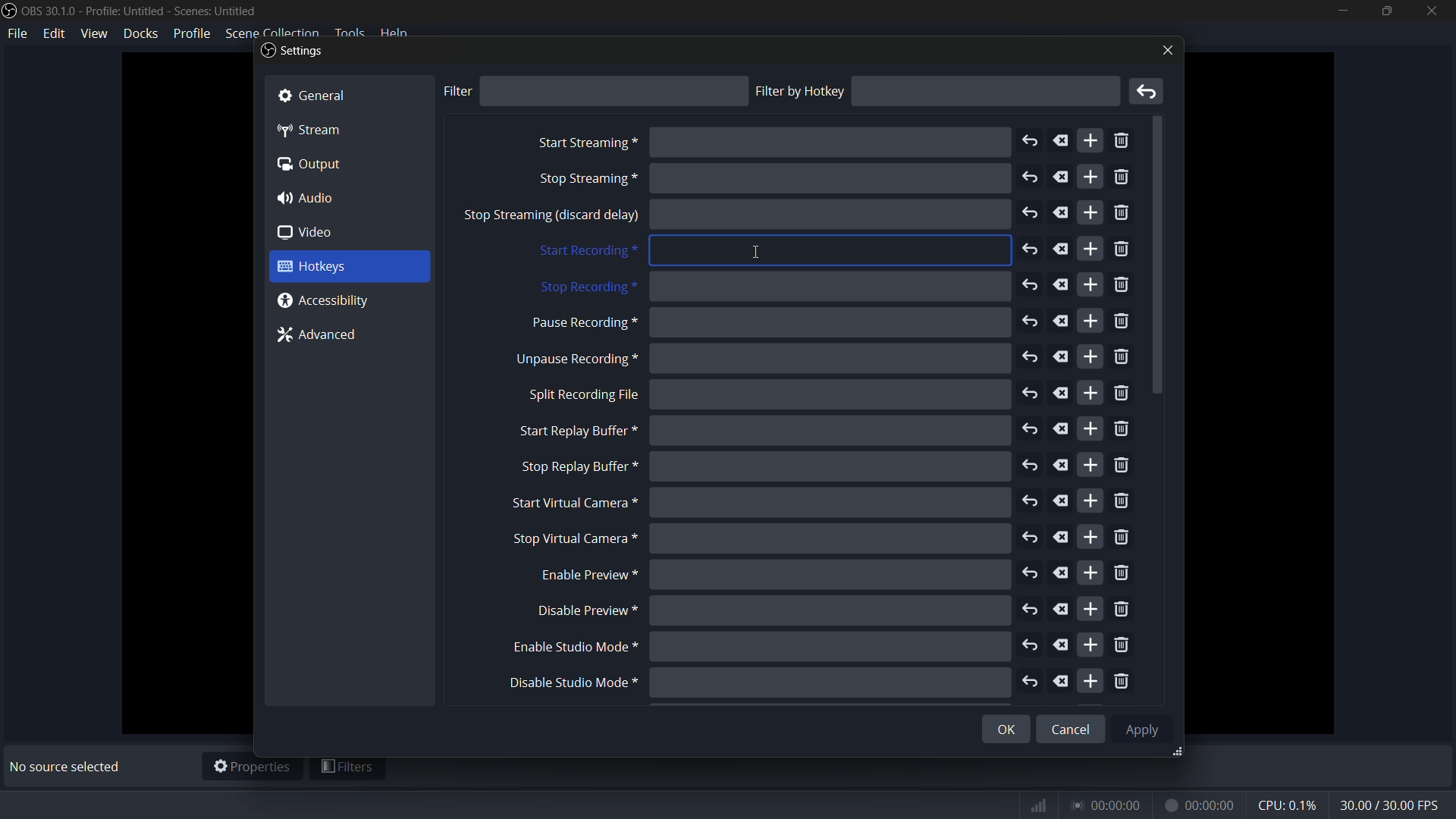  I want to click on add more, so click(1090, 643).